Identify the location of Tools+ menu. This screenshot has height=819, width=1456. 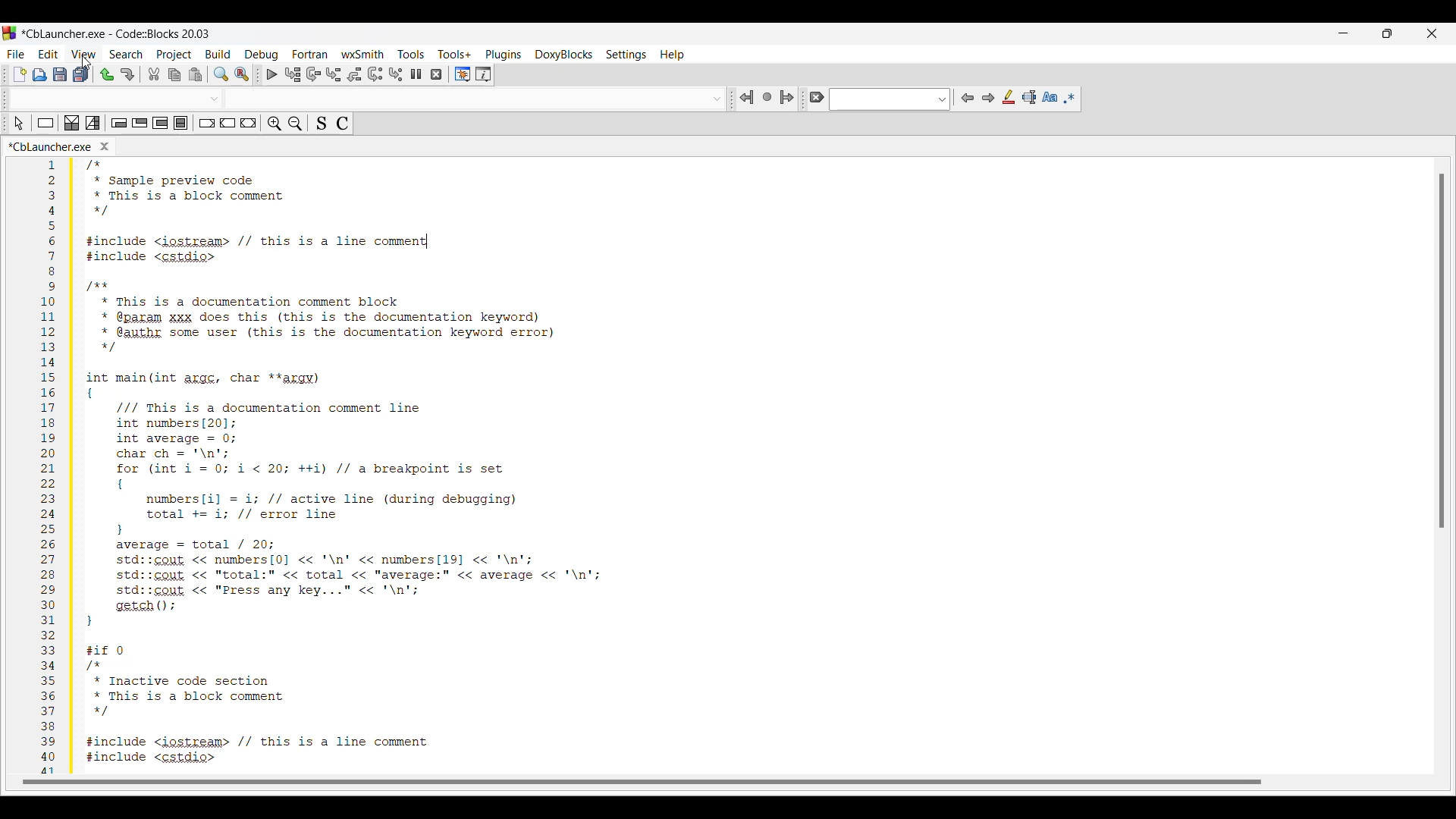
(454, 54).